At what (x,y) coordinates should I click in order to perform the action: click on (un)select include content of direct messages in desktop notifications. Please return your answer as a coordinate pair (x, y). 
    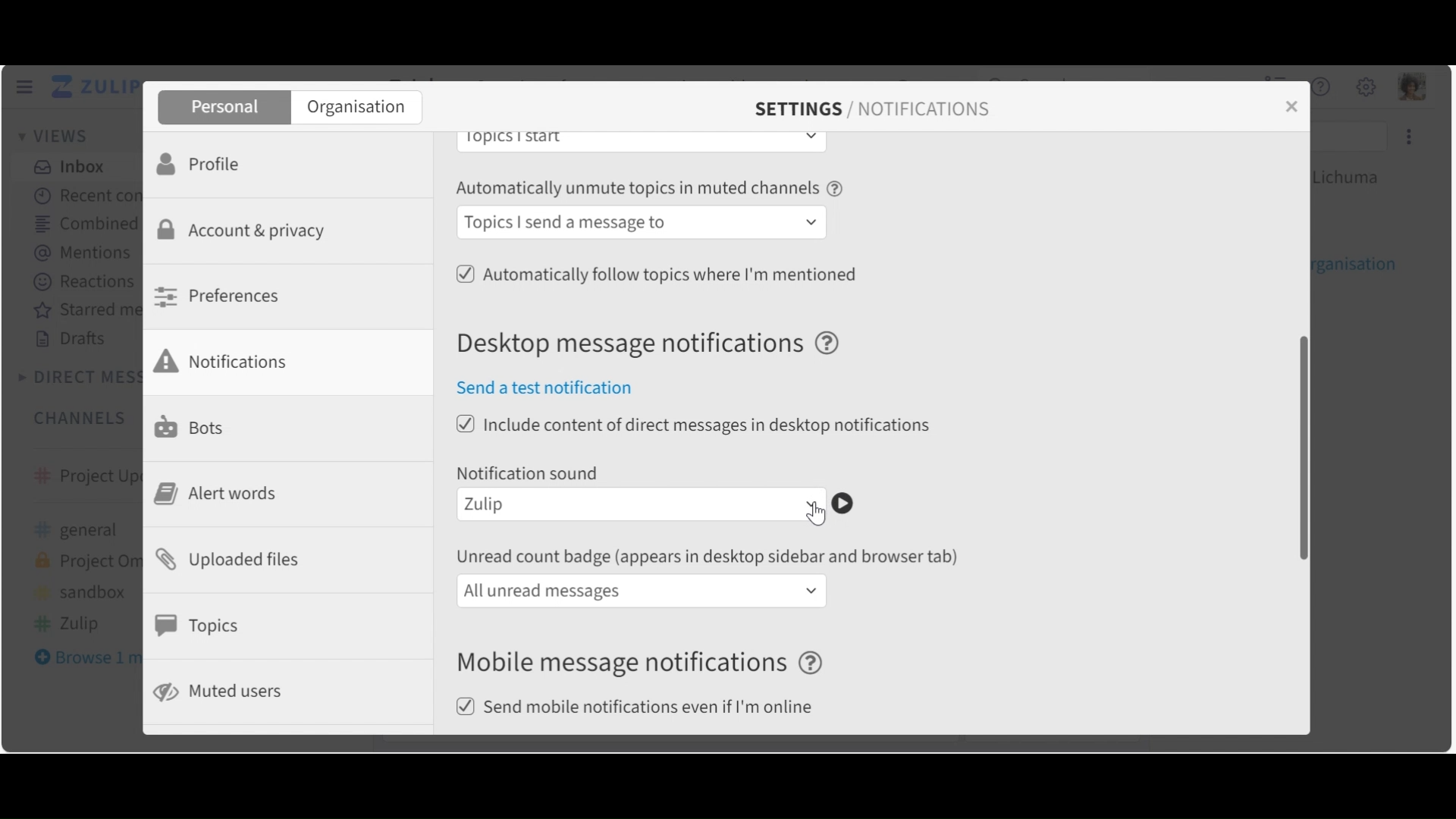
    Looking at the image, I should click on (695, 425).